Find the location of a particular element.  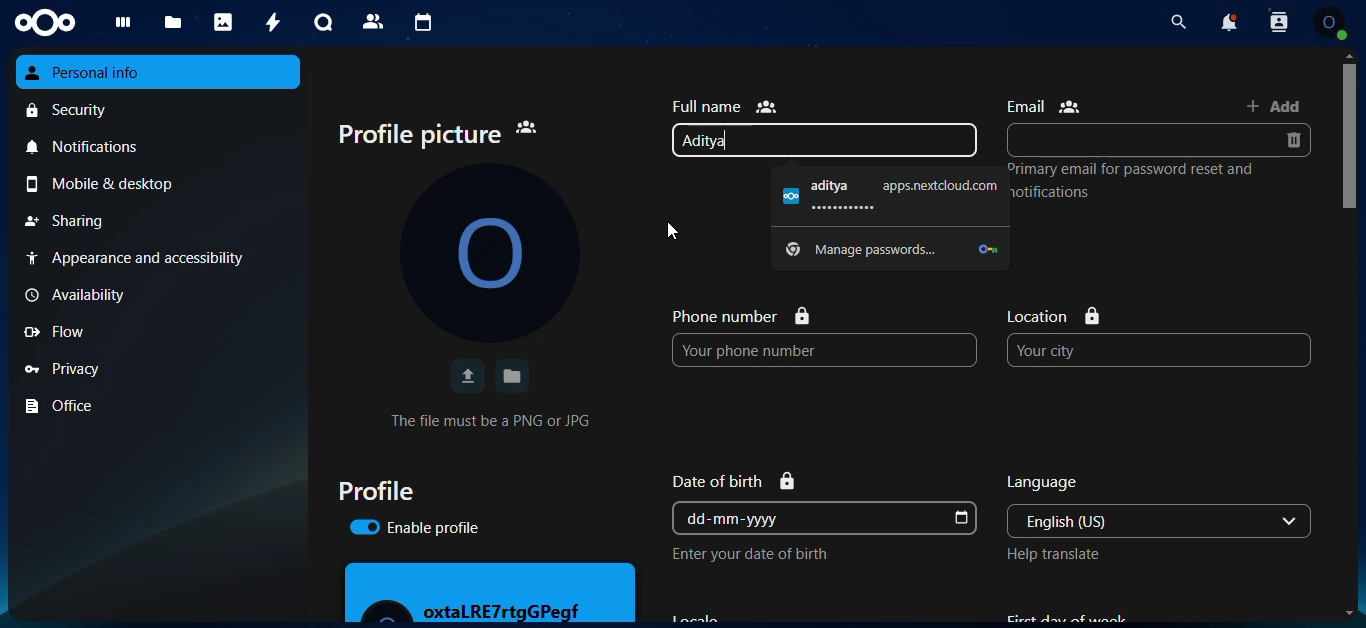

flow is located at coordinates (157, 332).